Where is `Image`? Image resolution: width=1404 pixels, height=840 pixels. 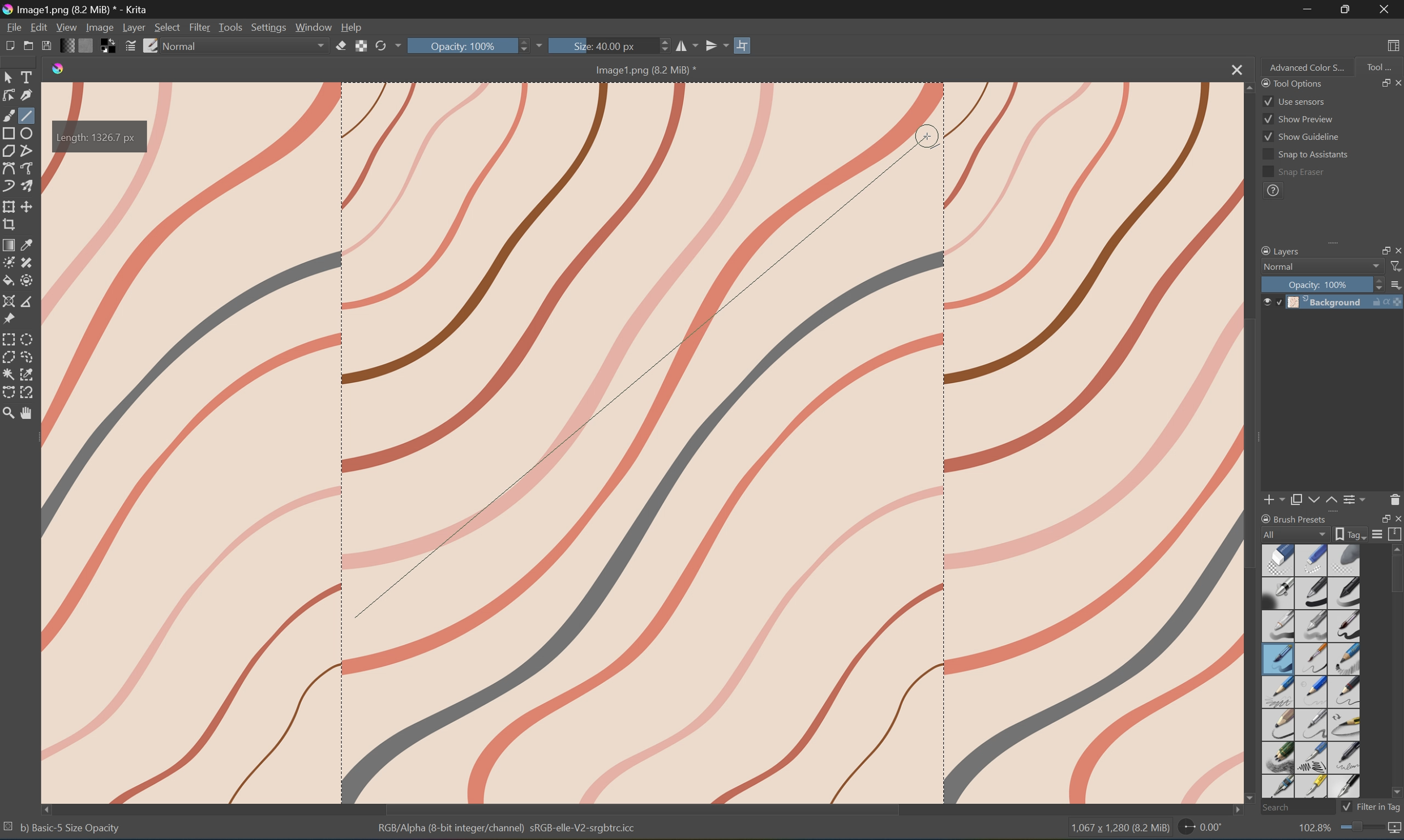 Image is located at coordinates (99, 27).